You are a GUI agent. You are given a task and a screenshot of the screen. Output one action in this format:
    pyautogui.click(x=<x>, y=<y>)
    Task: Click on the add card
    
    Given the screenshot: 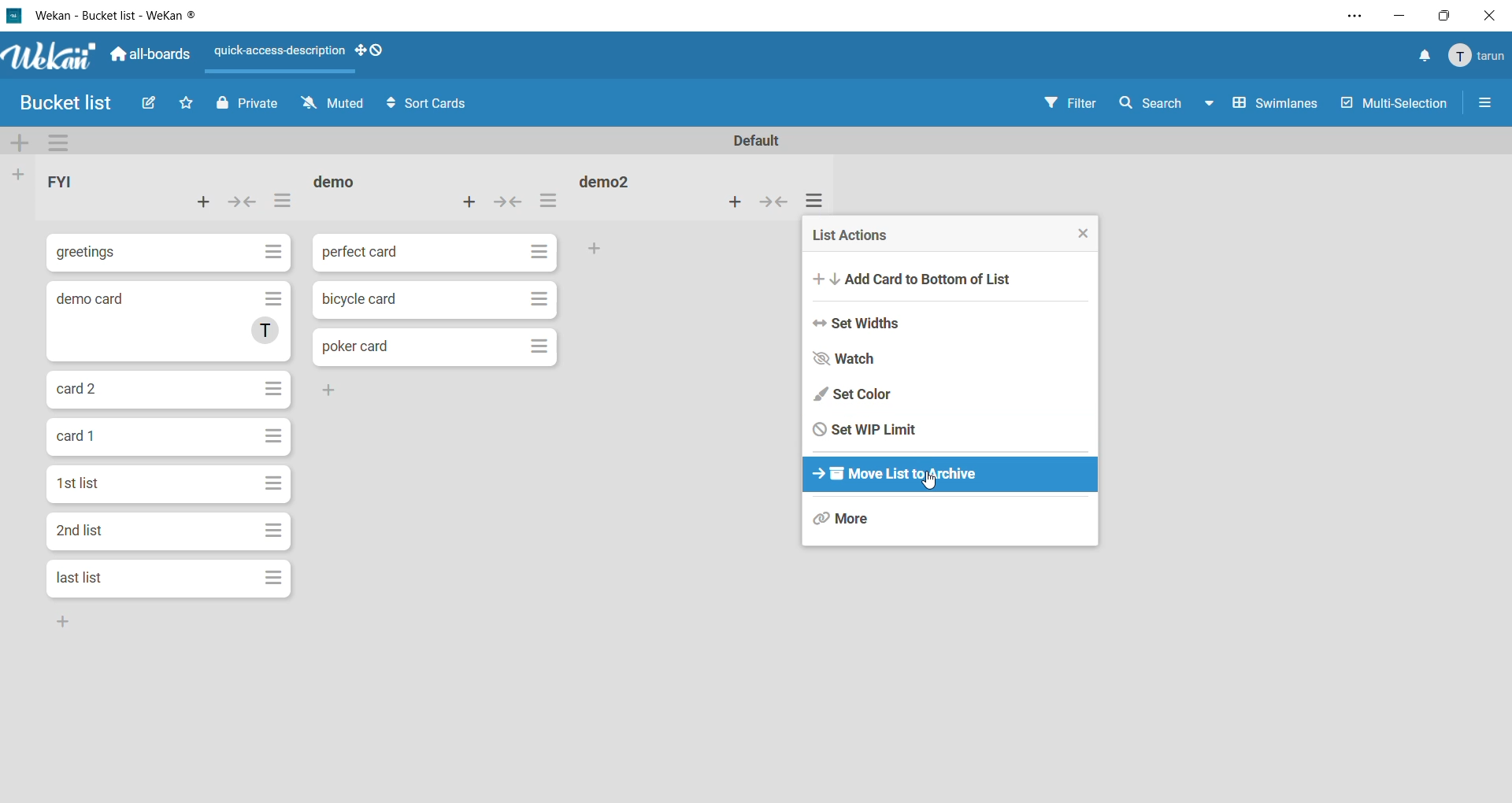 What is the action you would take?
    pyautogui.click(x=467, y=208)
    